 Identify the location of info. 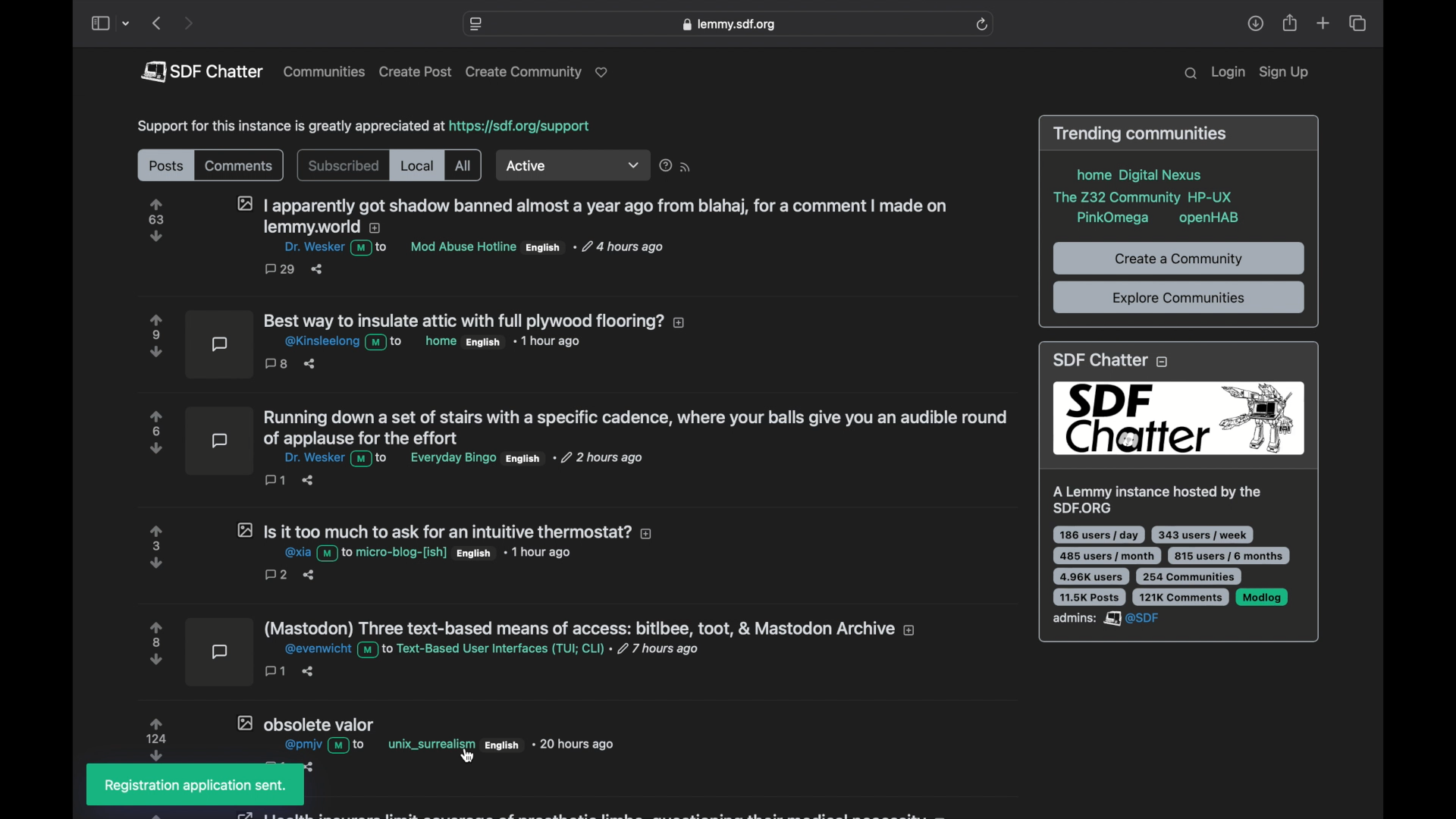
(1145, 195).